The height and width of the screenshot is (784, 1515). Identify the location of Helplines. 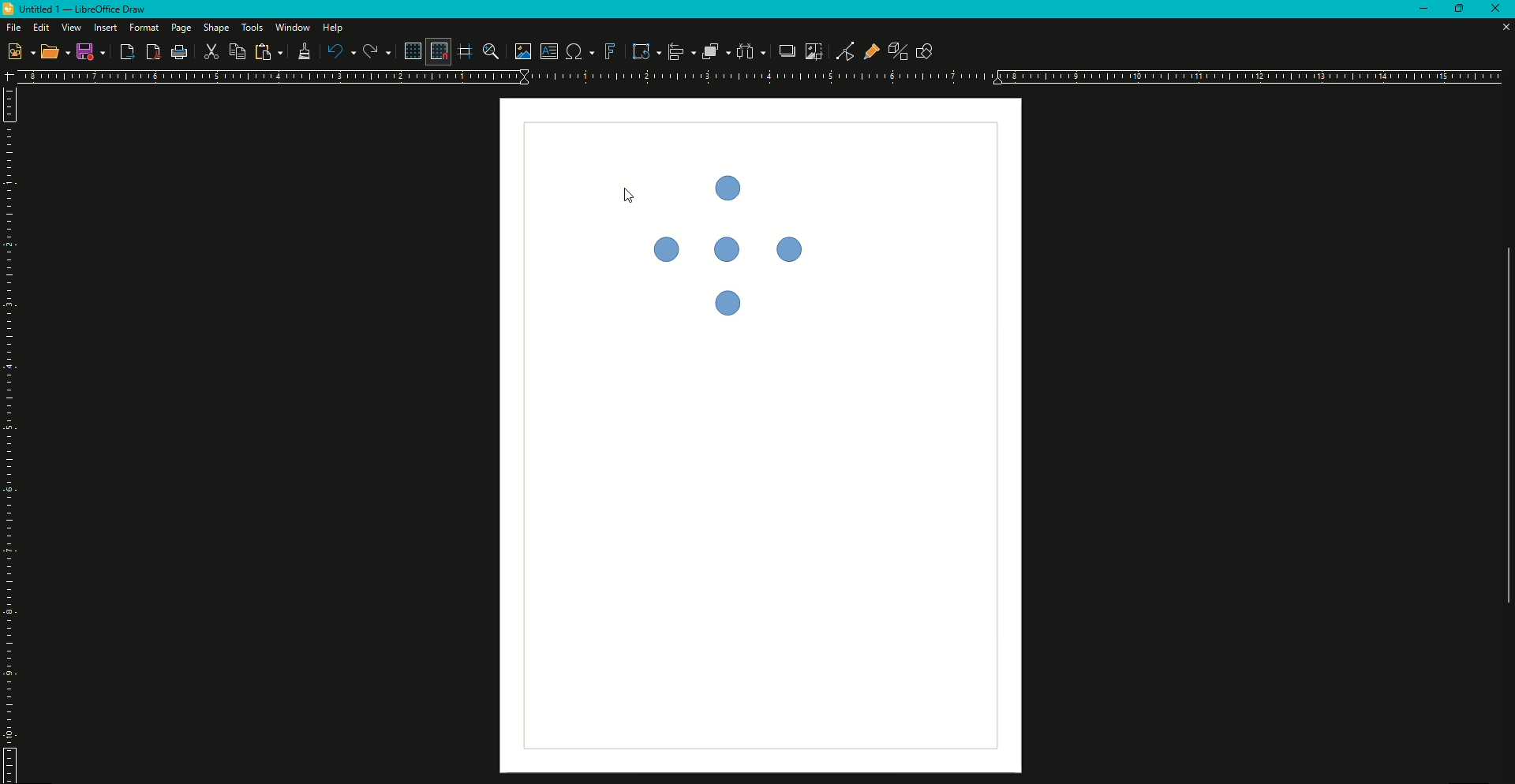
(463, 50).